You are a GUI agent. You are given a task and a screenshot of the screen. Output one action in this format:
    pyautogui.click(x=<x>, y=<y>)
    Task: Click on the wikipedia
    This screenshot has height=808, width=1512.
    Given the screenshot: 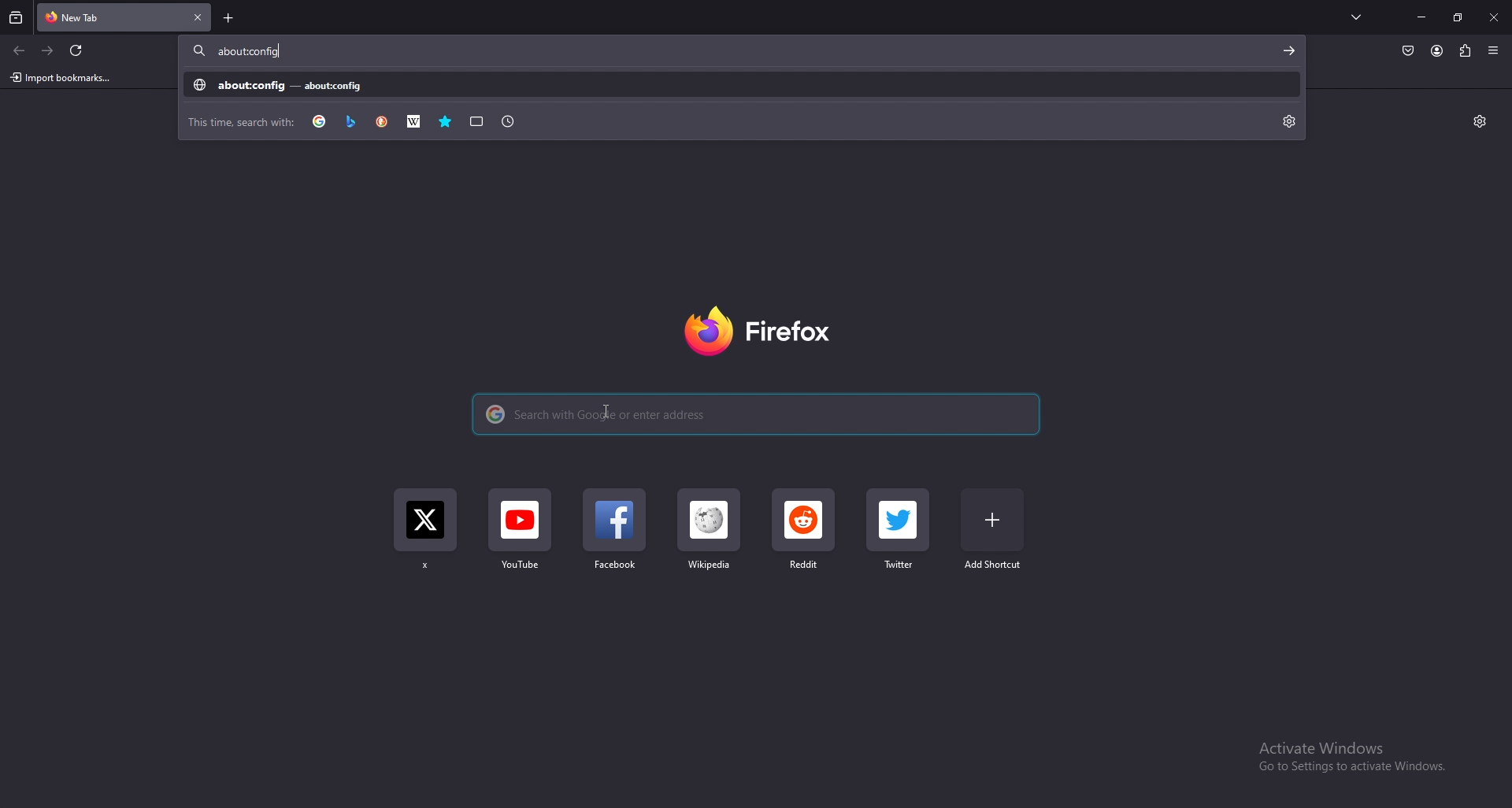 What is the action you would take?
    pyautogui.click(x=414, y=121)
    